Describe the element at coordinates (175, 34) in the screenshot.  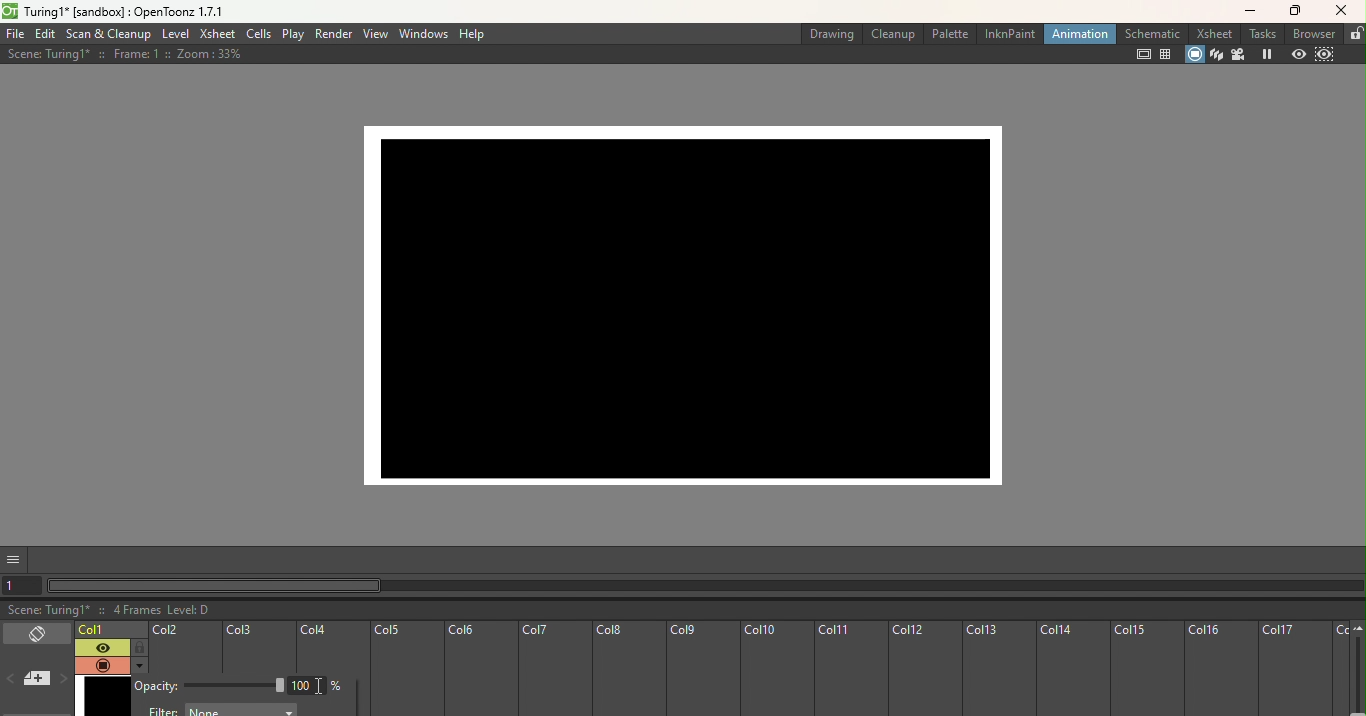
I see `Level` at that location.